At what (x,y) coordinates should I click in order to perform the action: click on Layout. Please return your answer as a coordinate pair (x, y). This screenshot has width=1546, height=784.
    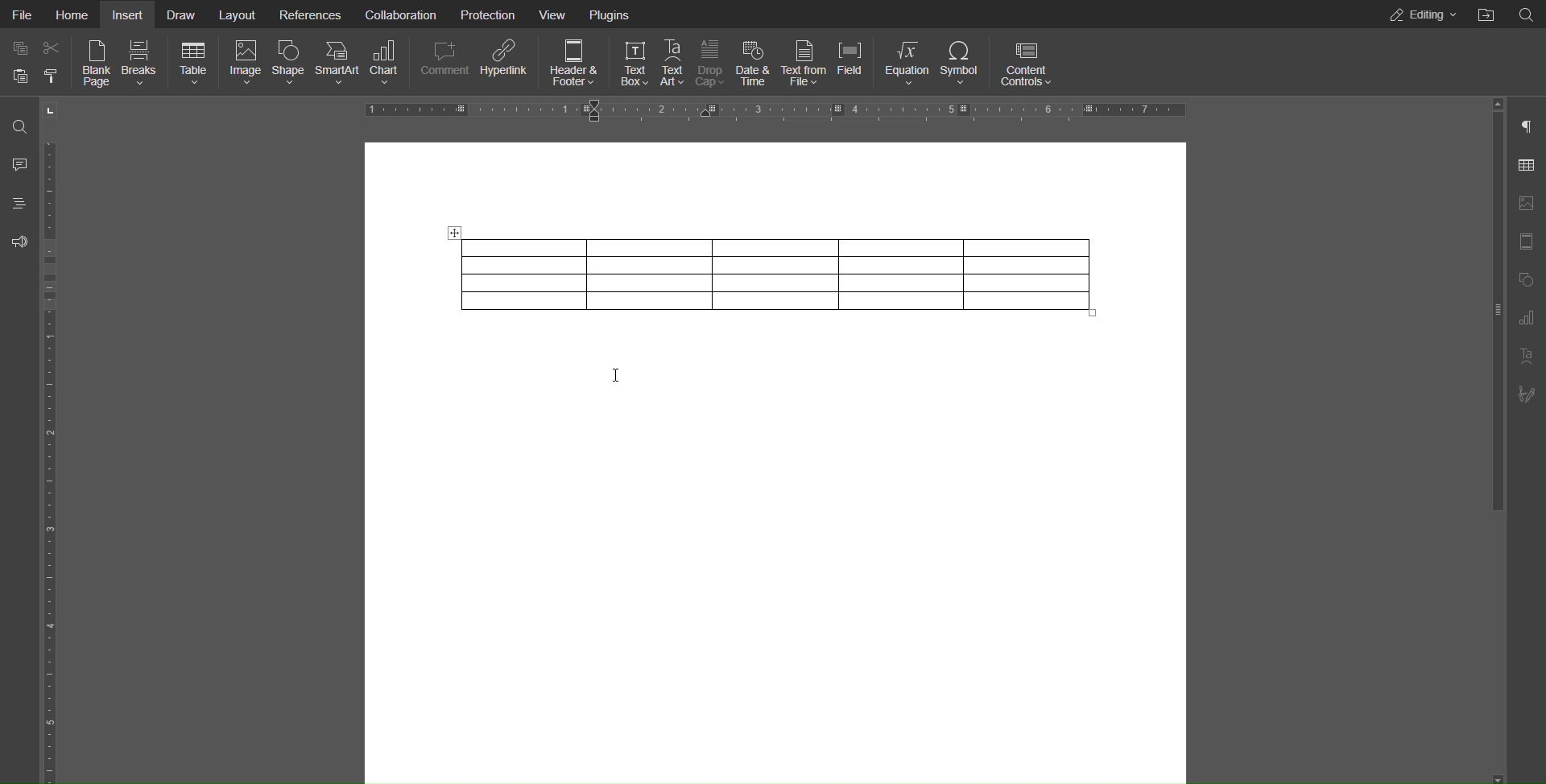
    Looking at the image, I should click on (238, 14).